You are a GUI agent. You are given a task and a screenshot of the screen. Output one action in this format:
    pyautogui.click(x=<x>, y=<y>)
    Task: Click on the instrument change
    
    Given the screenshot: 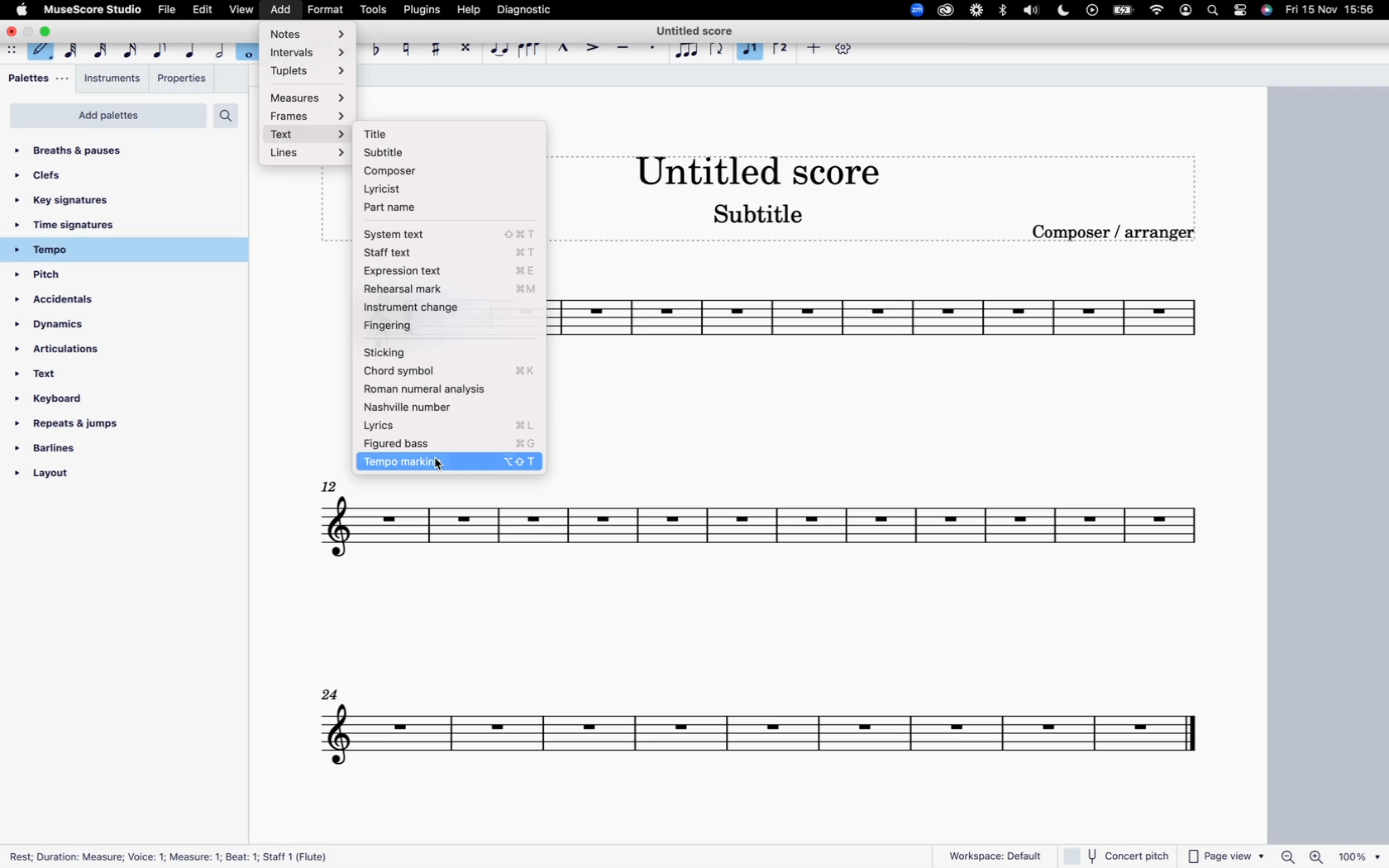 What is the action you would take?
    pyautogui.click(x=451, y=305)
    